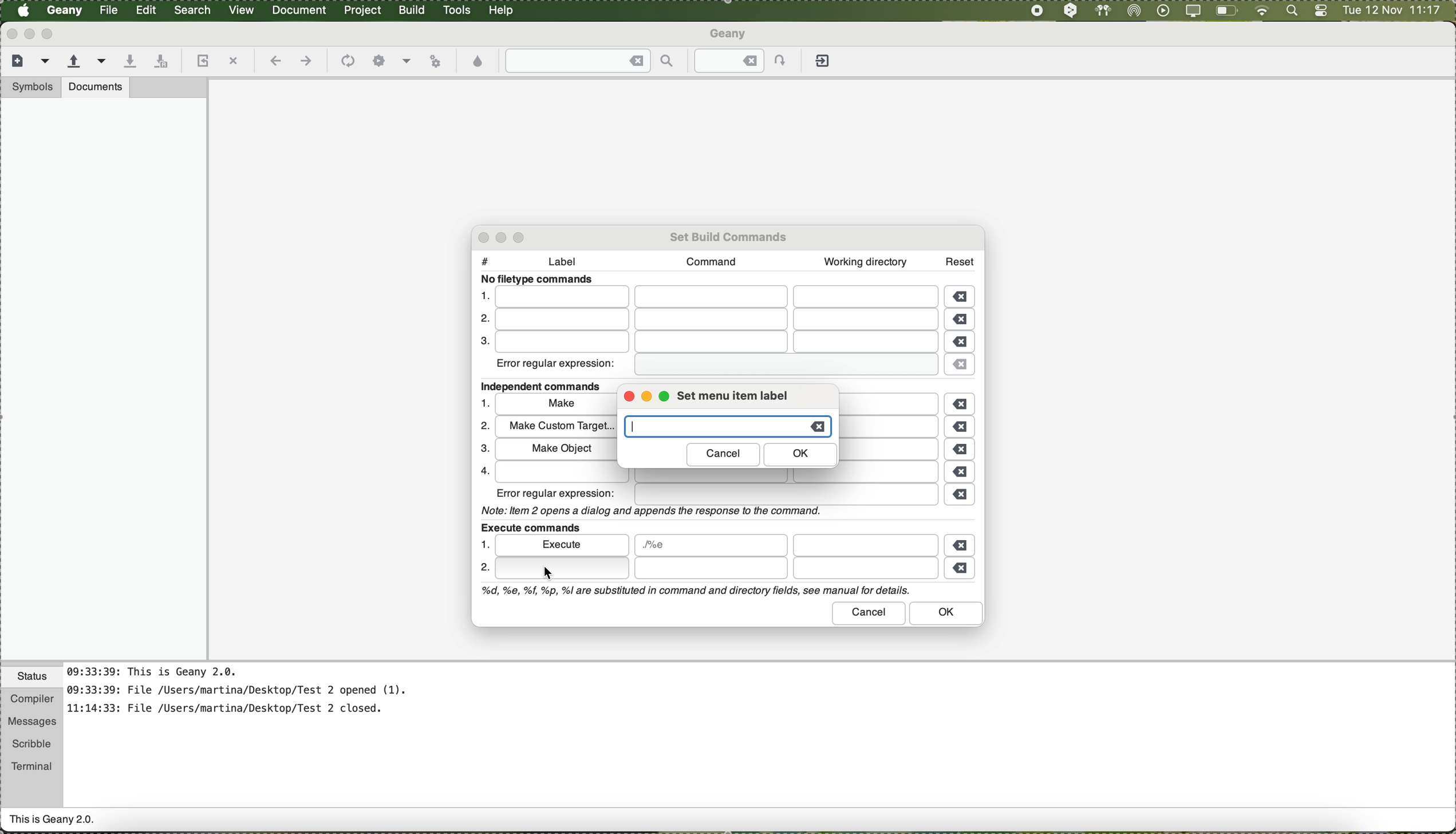  I want to click on set build commands, so click(730, 235).